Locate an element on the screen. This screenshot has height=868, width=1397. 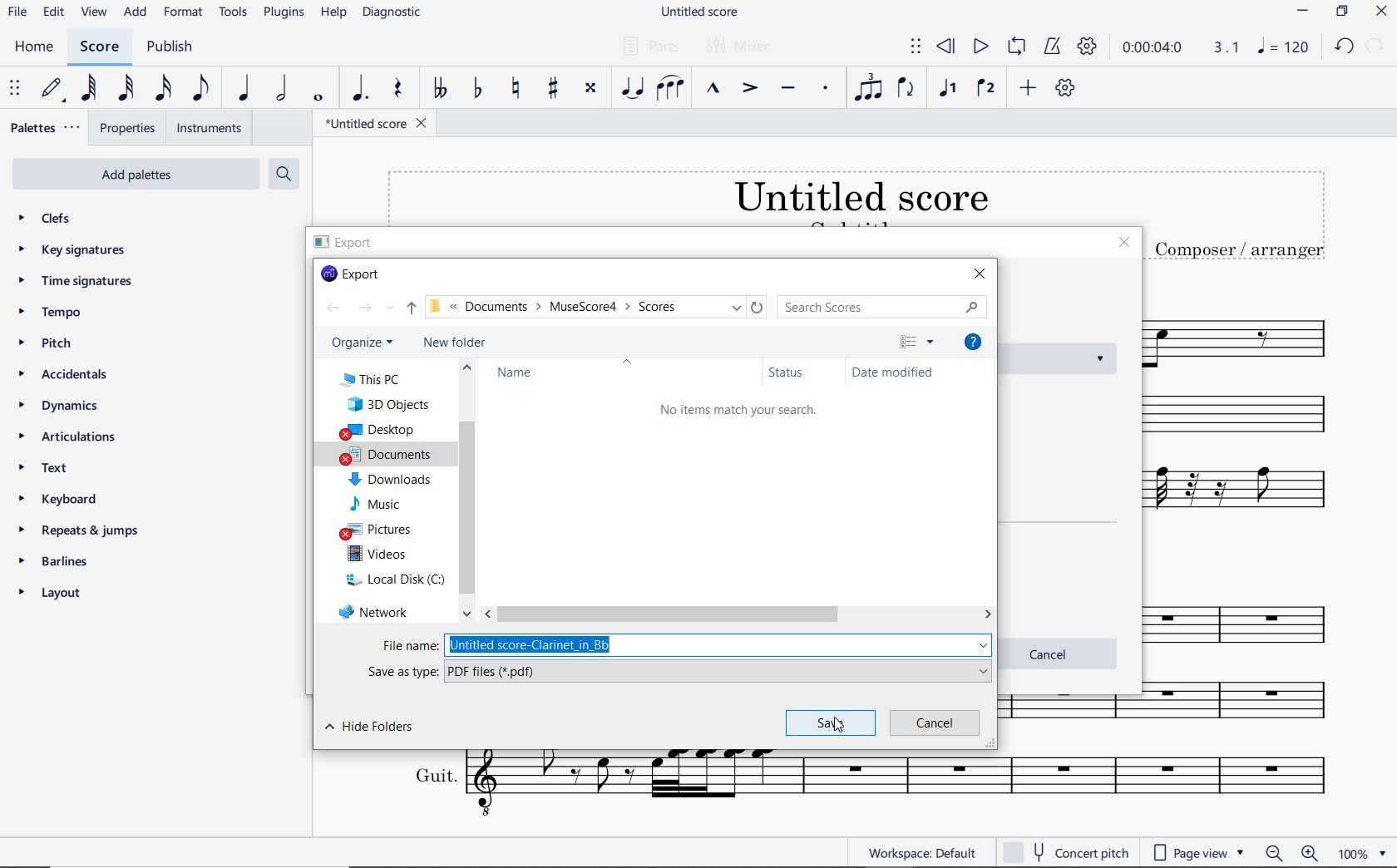
ORGANIZE is located at coordinates (367, 343).